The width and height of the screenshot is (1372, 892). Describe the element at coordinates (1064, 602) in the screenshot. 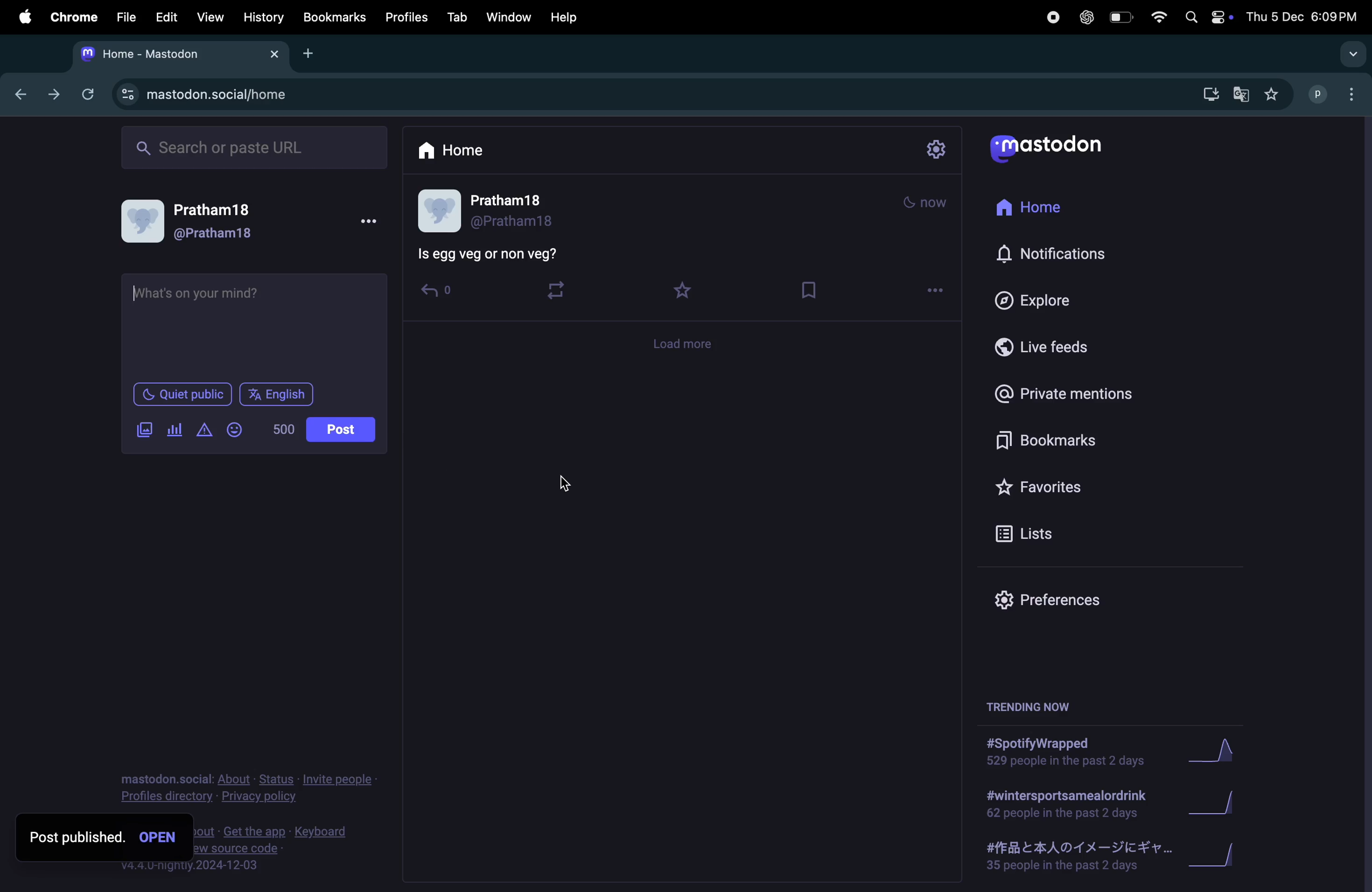

I see `prefences` at that location.